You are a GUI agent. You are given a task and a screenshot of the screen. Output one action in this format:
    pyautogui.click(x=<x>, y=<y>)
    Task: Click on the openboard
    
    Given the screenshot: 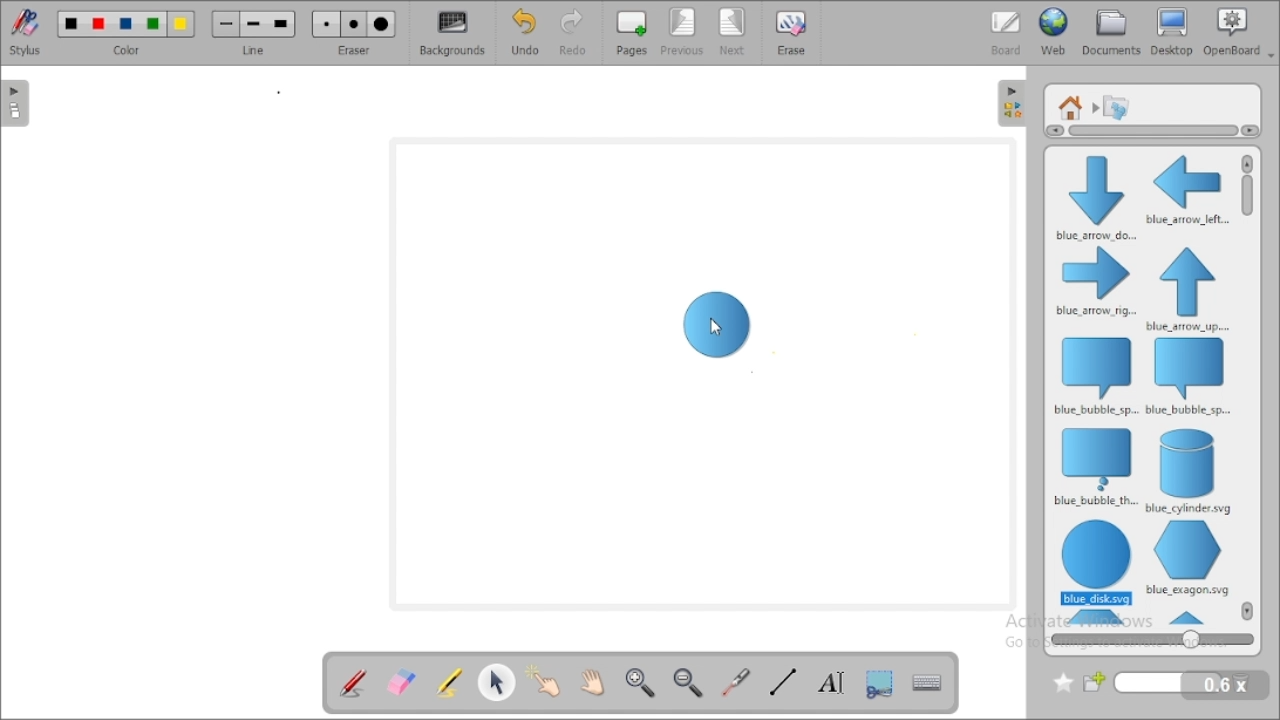 What is the action you would take?
    pyautogui.click(x=1239, y=32)
    